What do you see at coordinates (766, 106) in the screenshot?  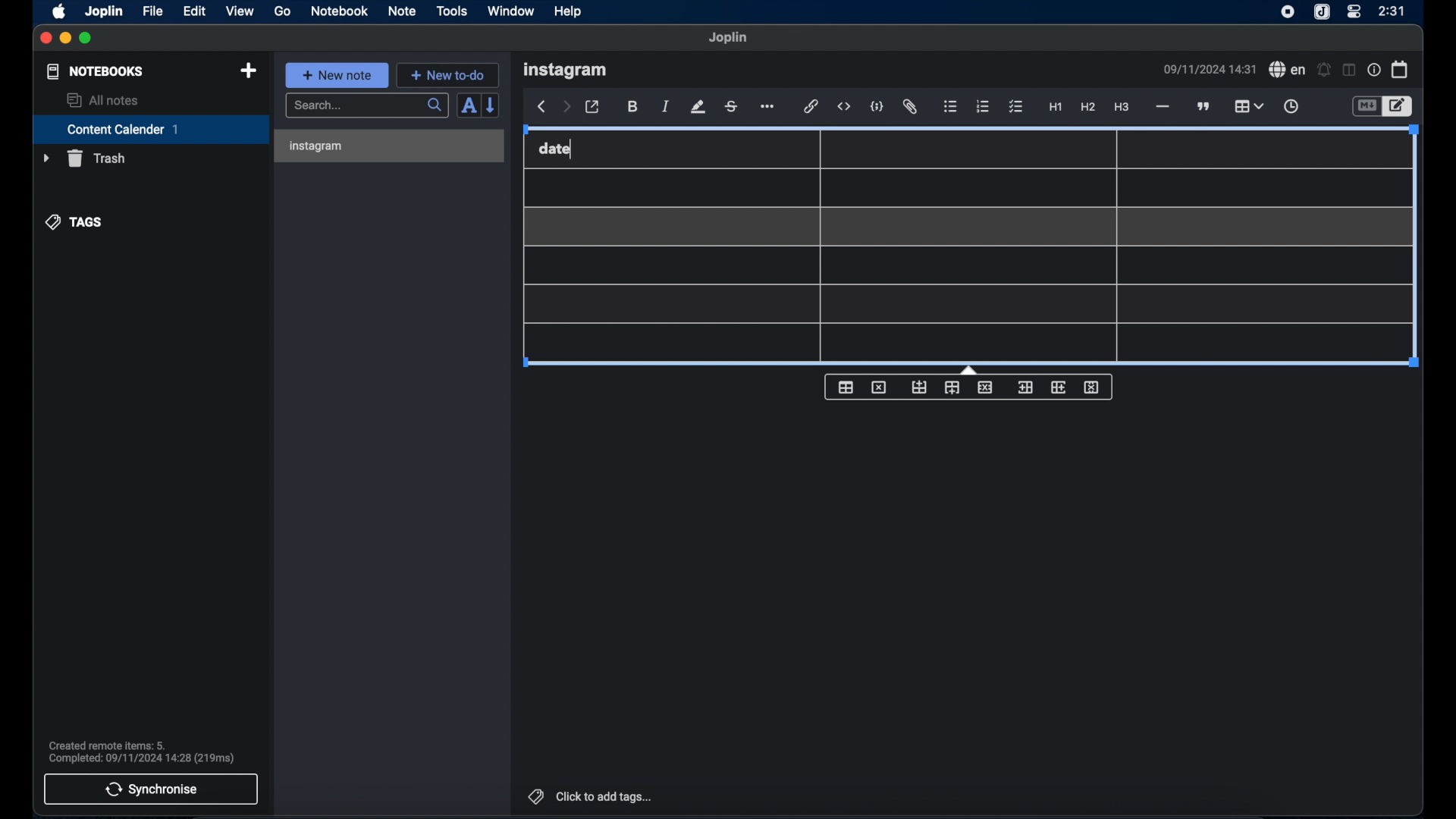 I see `more options` at bounding box center [766, 106].